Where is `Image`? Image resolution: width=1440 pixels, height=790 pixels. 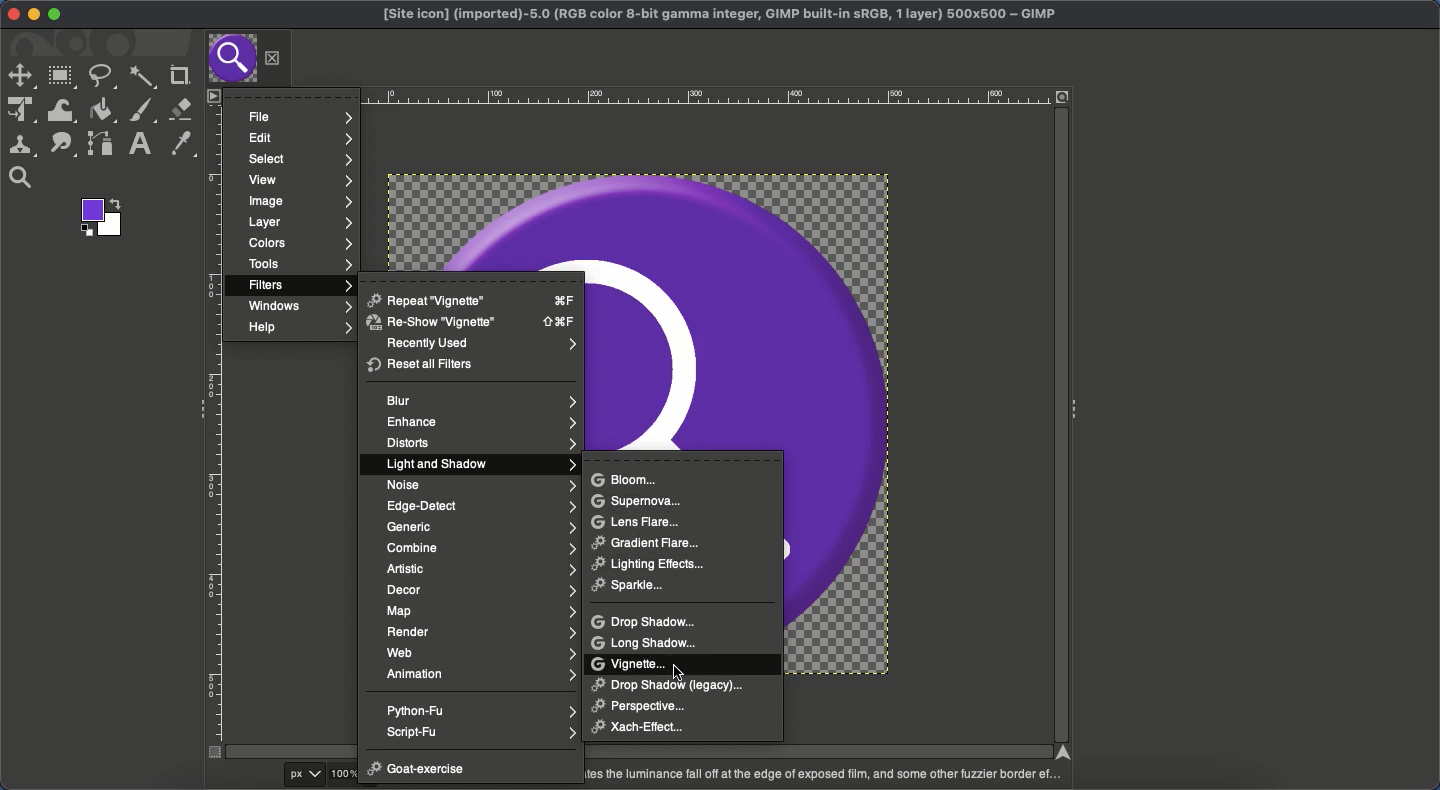 Image is located at coordinates (859, 422).